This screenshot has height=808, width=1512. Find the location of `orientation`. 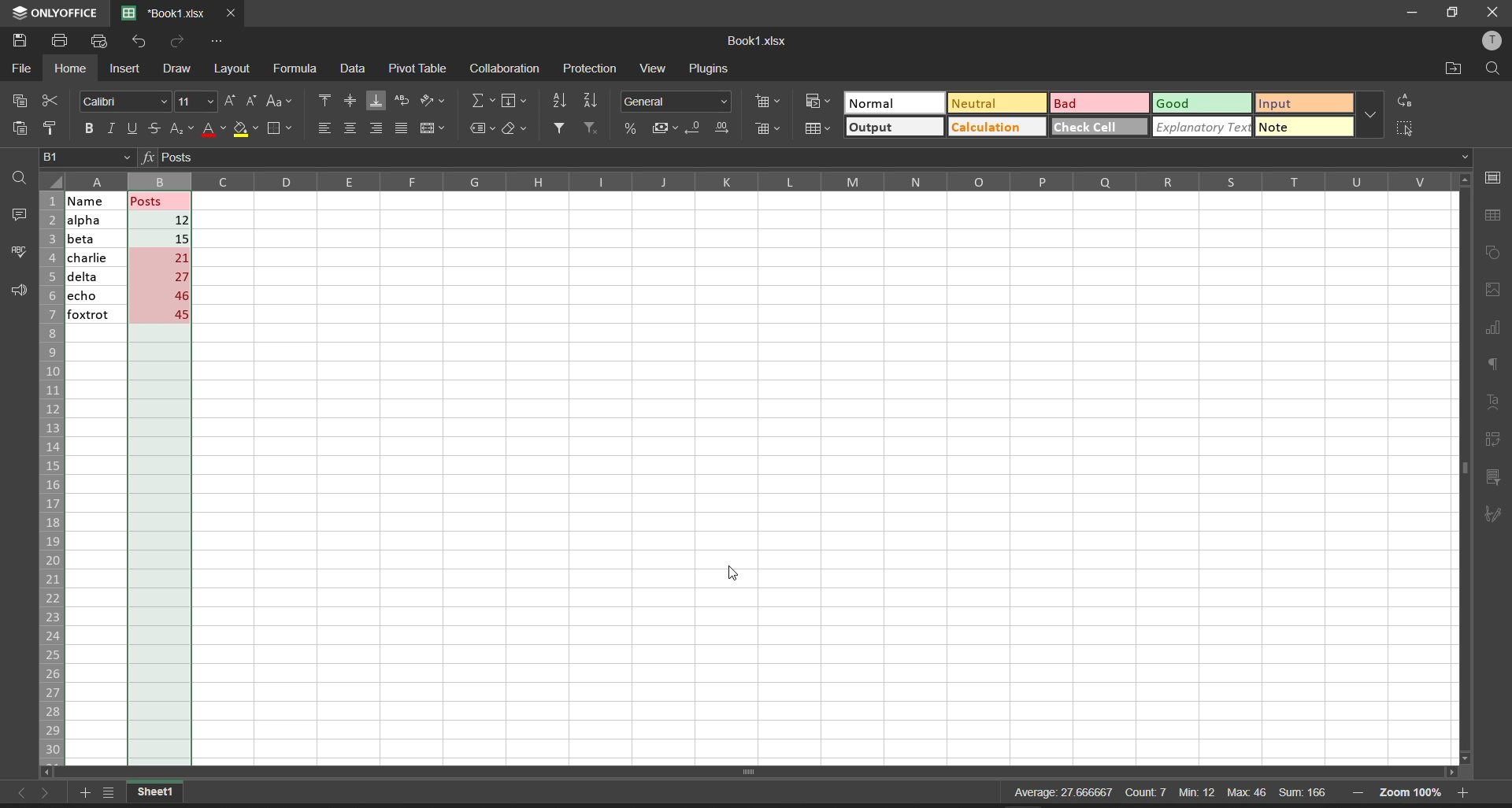

orientation is located at coordinates (437, 99).